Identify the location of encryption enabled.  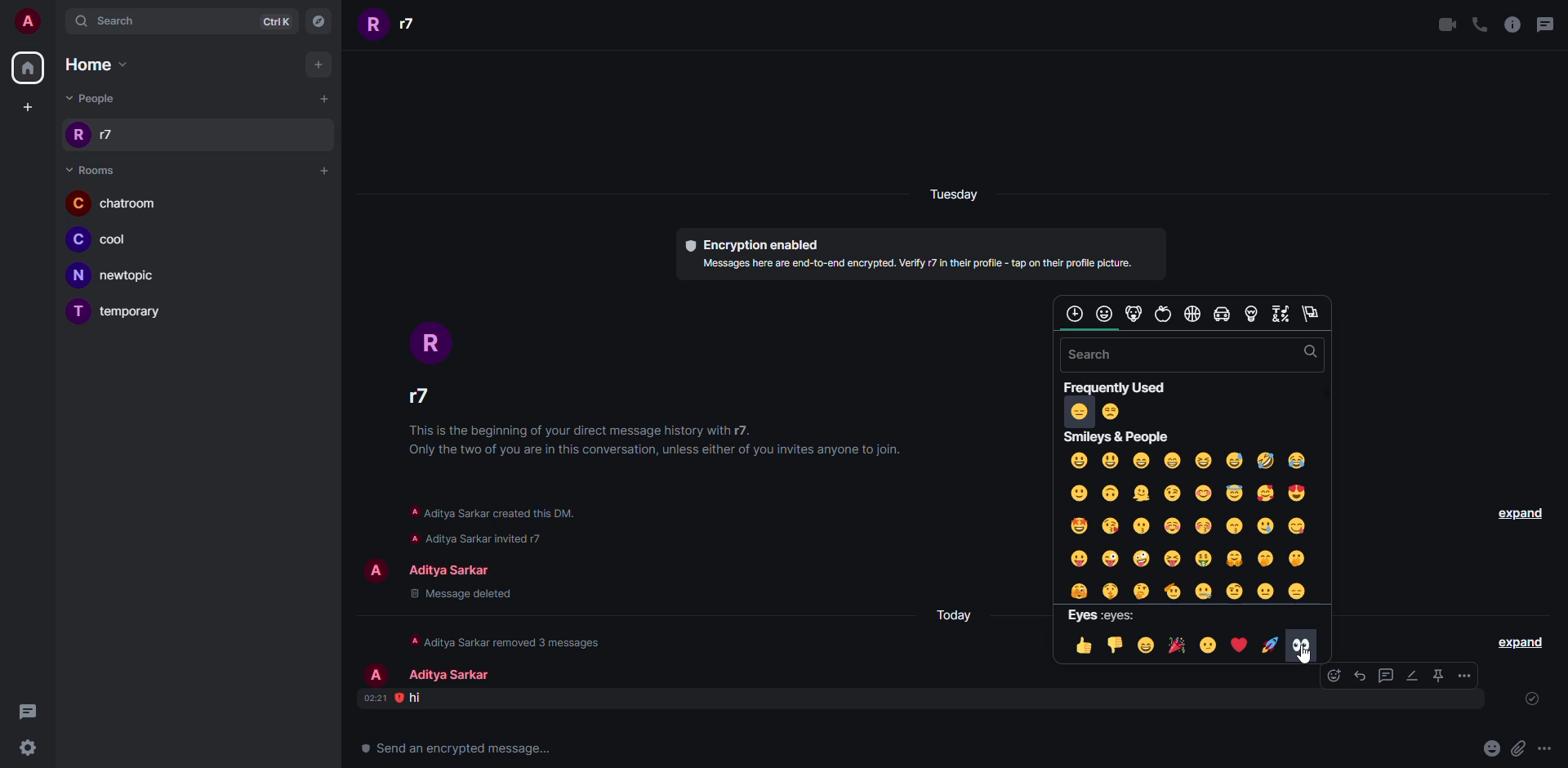
(751, 243).